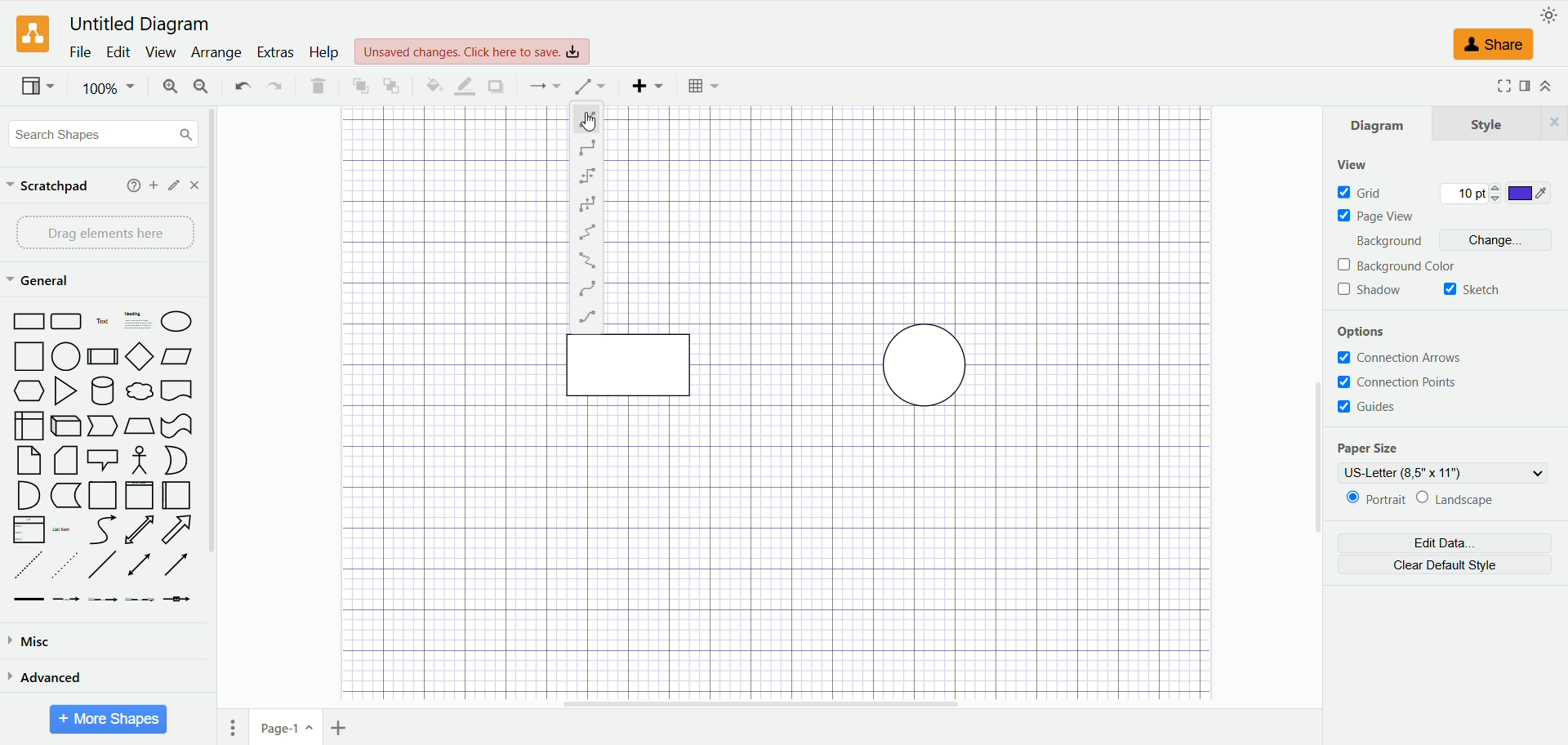 This screenshot has width=1568, height=745. What do you see at coordinates (204, 86) in the screenshot?
I see `zoom out` at bounding box center [204, 86].